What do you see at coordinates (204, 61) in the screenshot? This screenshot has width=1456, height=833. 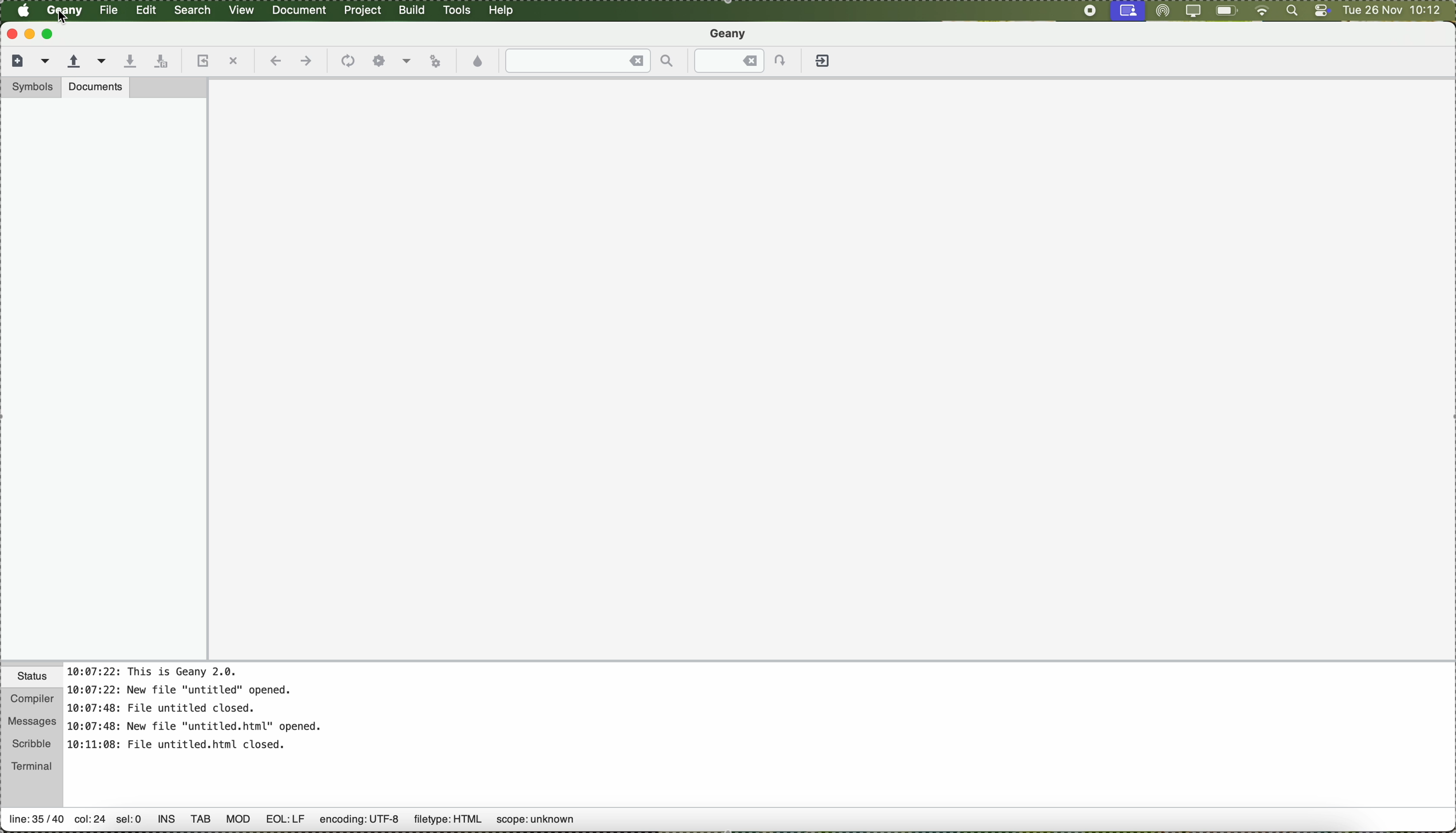 I see `reload the current file from disk` at bounding box center [204, 61].